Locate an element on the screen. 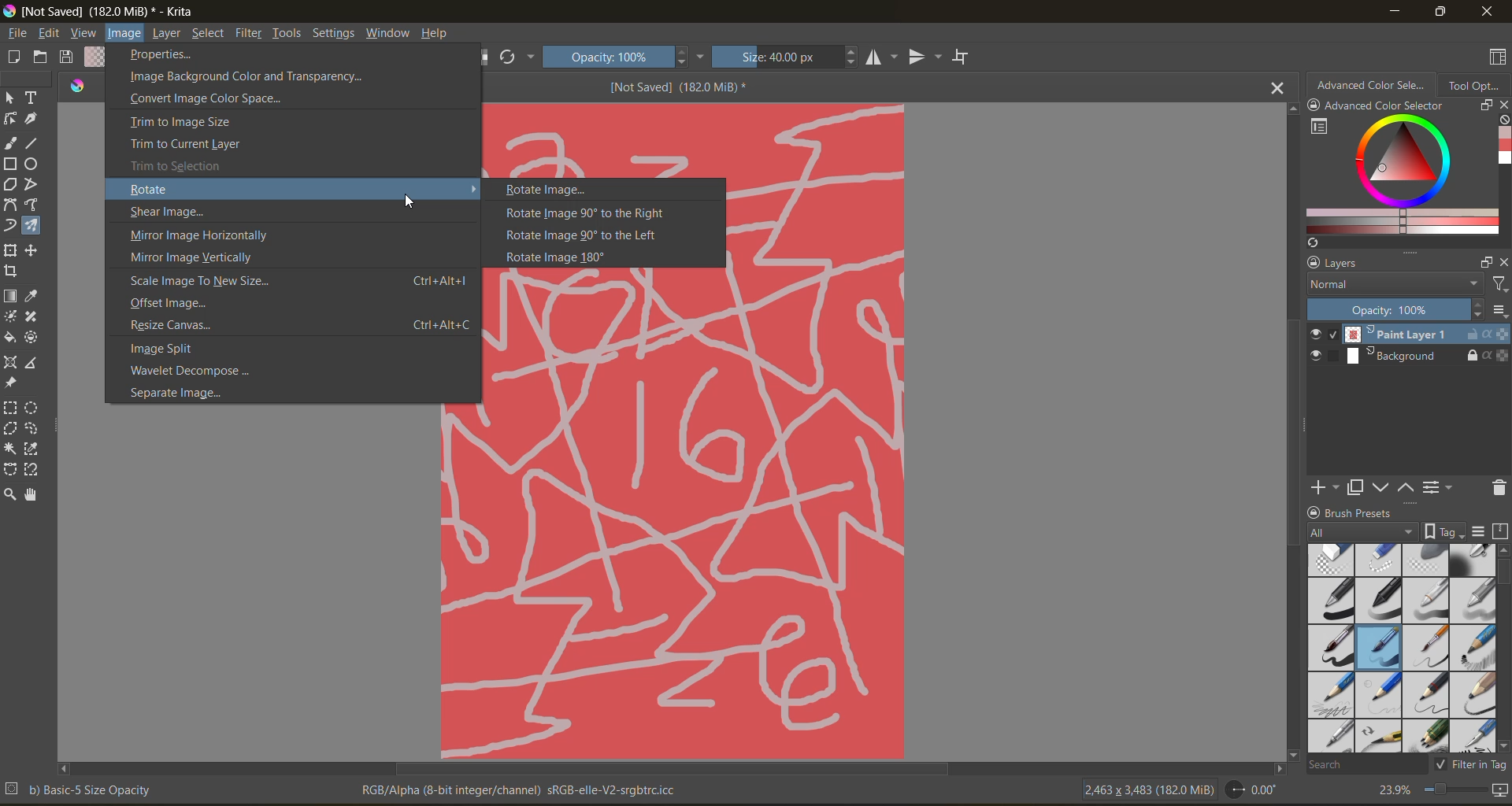  wrap around mode is located at coordinates (969, 57).